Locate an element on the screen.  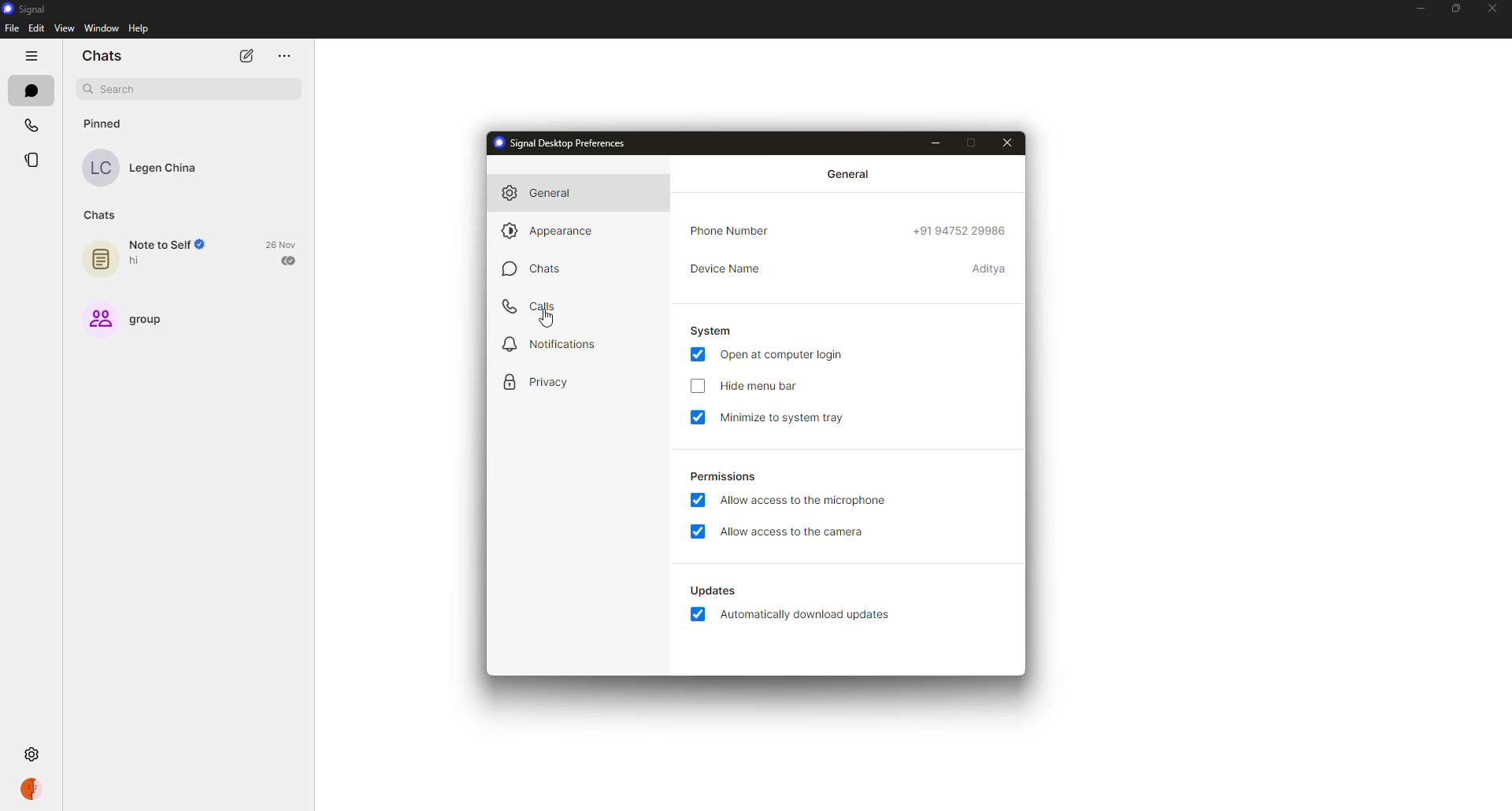
date is located at coordinates (280, 244).